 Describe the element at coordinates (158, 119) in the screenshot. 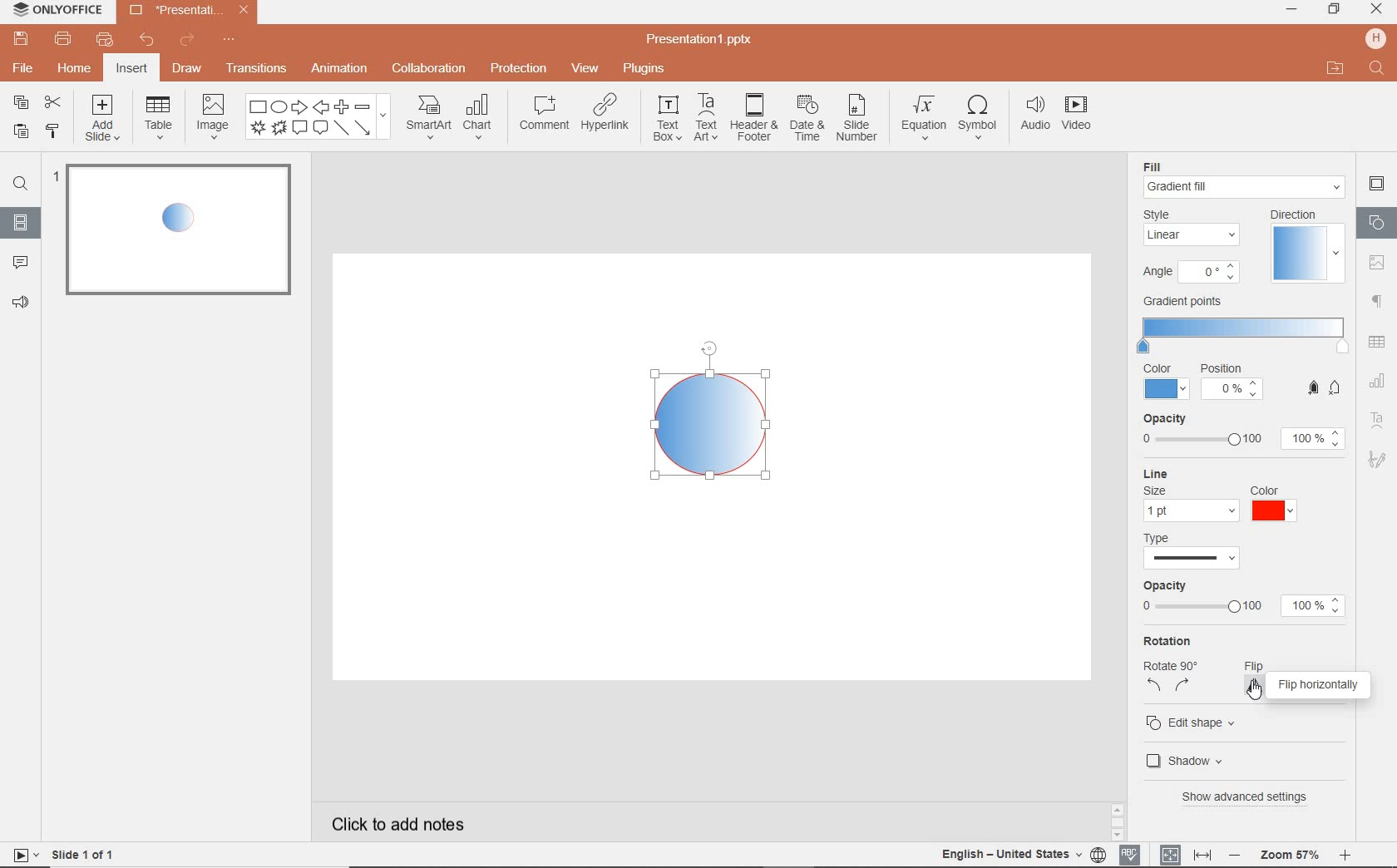

I see `table` at that location.